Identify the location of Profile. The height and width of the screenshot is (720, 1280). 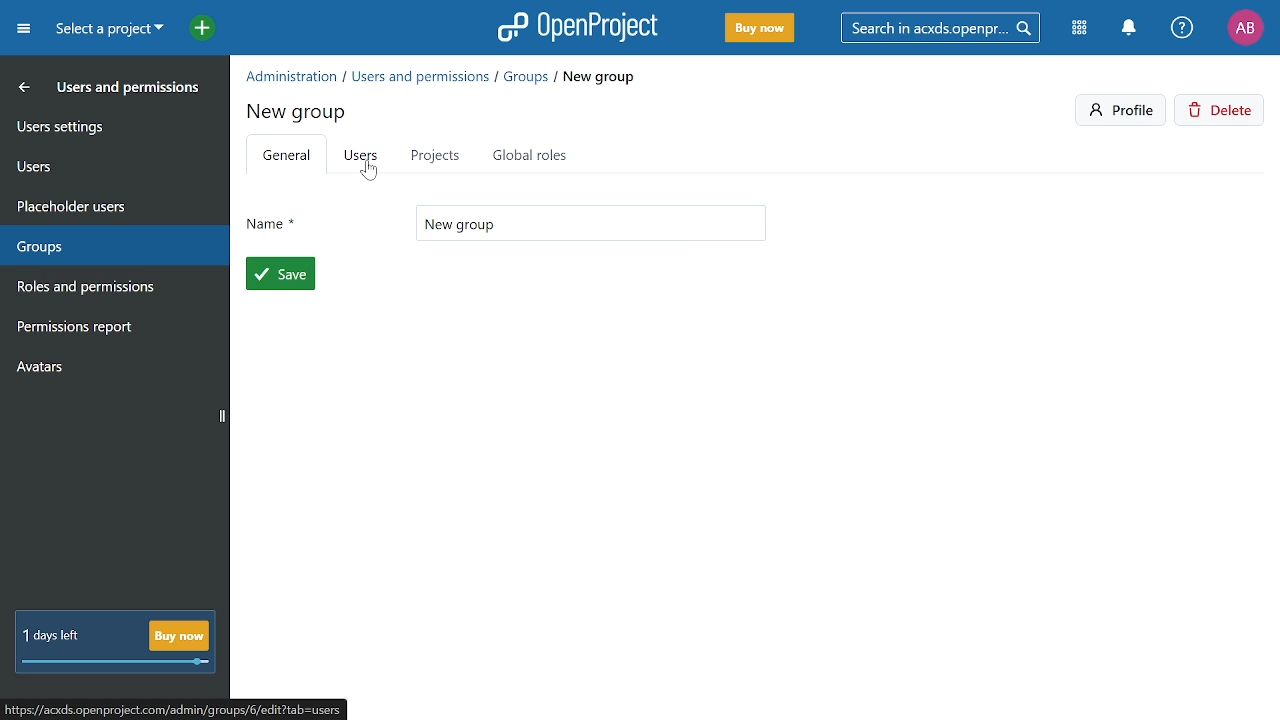
(1245, 27).